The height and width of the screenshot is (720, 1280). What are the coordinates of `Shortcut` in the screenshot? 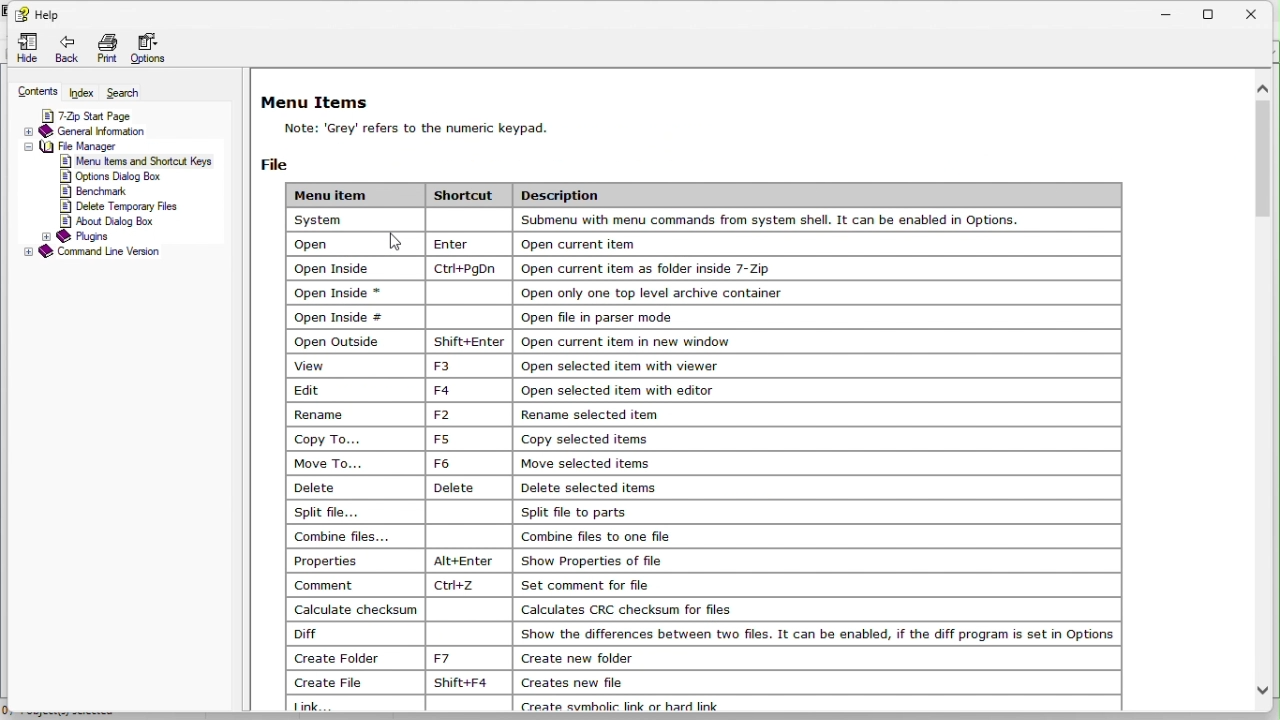 It's located at (469, 195).